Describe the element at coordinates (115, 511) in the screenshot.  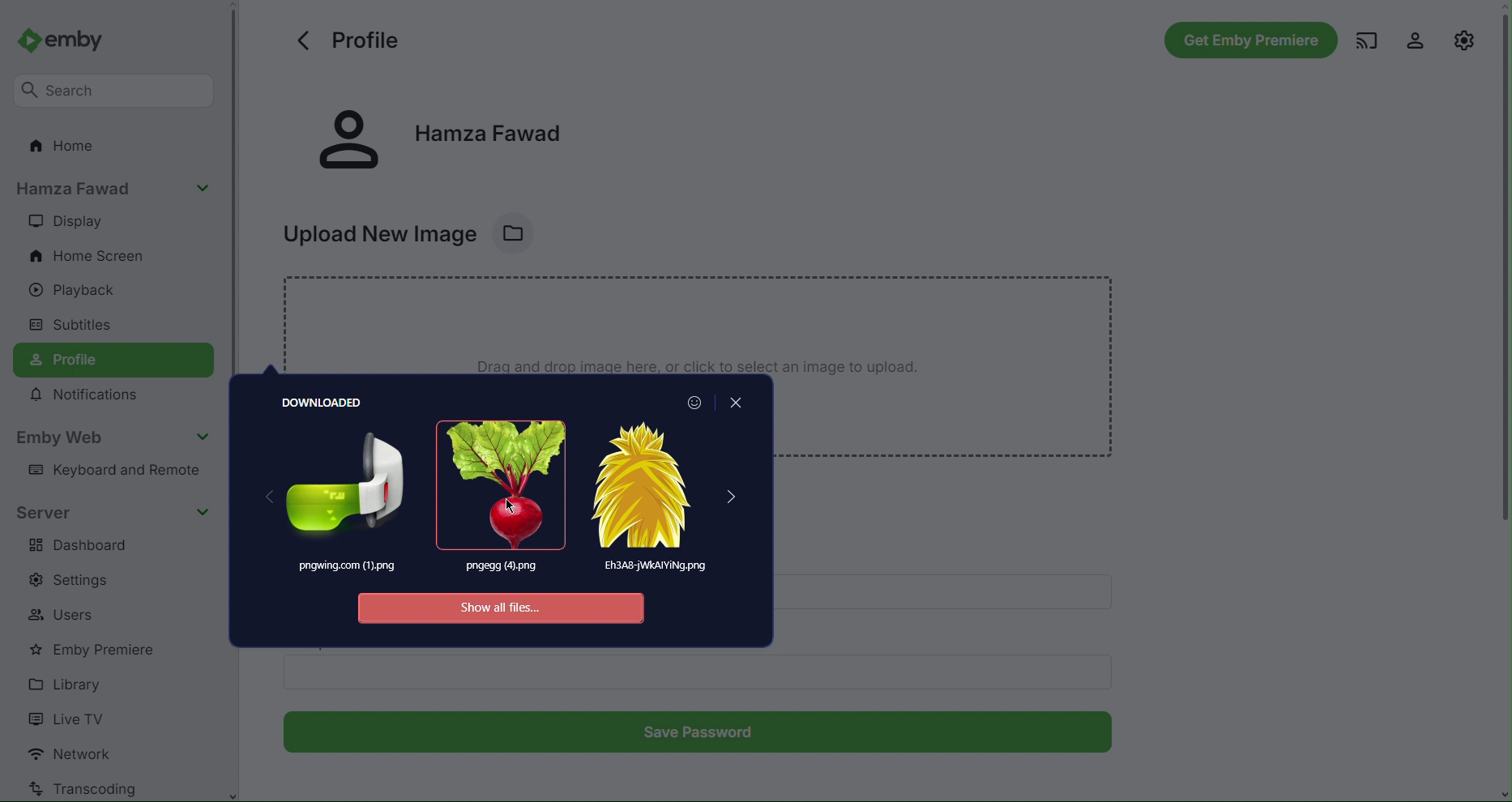
I see `Server` at that location.